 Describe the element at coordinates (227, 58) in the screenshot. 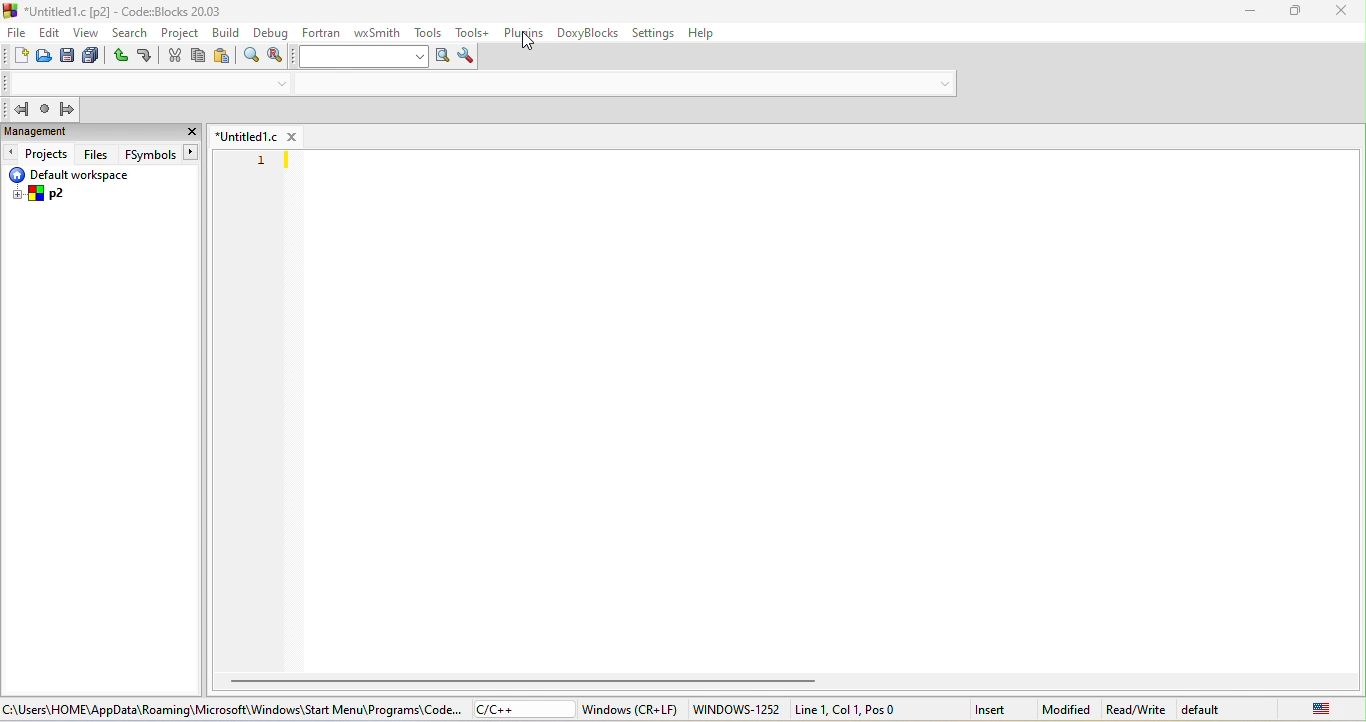

I see `paste` at that location.